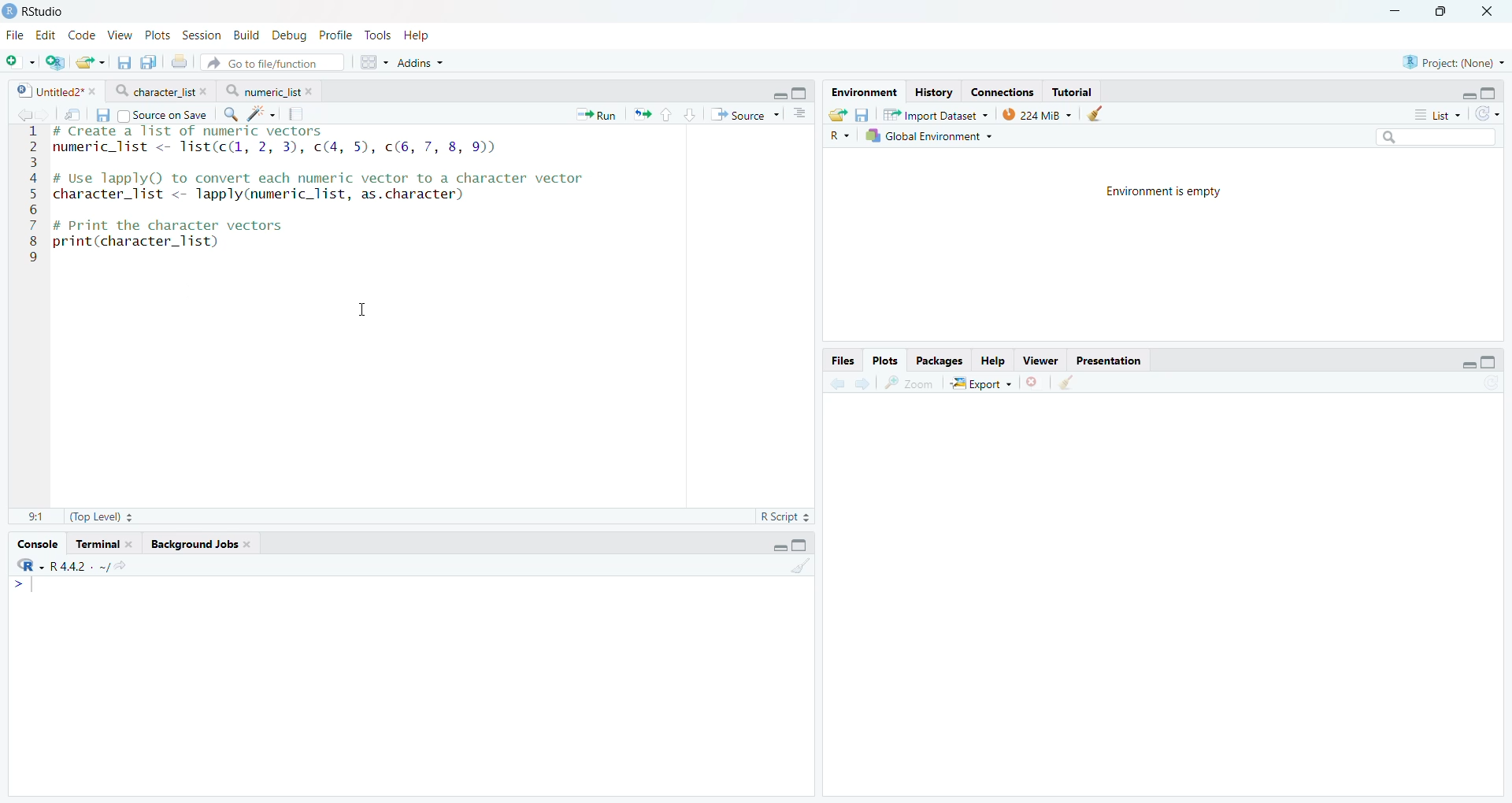  I want to click on Go to next source location, so click(43, 113).